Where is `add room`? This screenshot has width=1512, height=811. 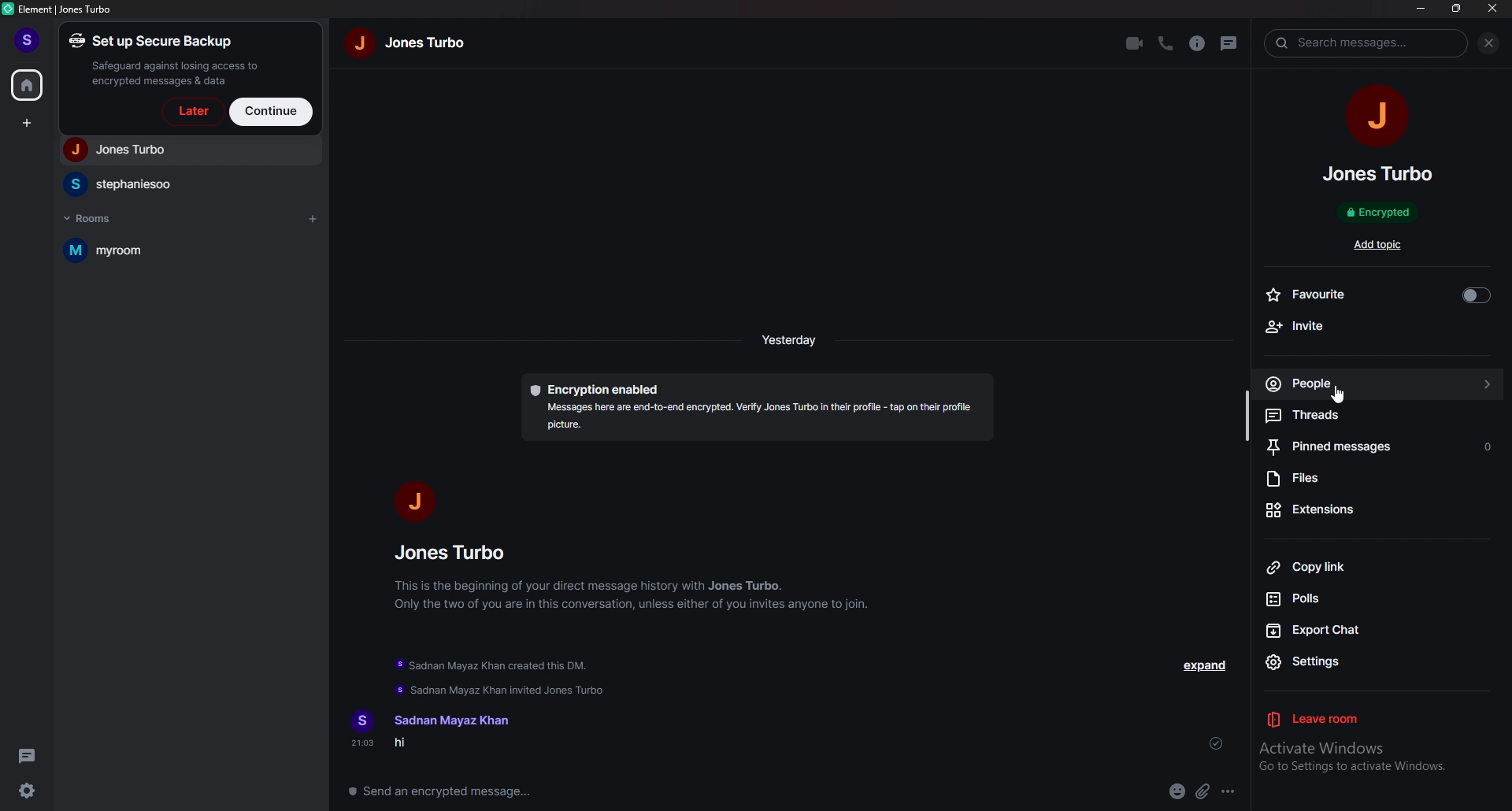
add room is located at coordinates (312, 220).